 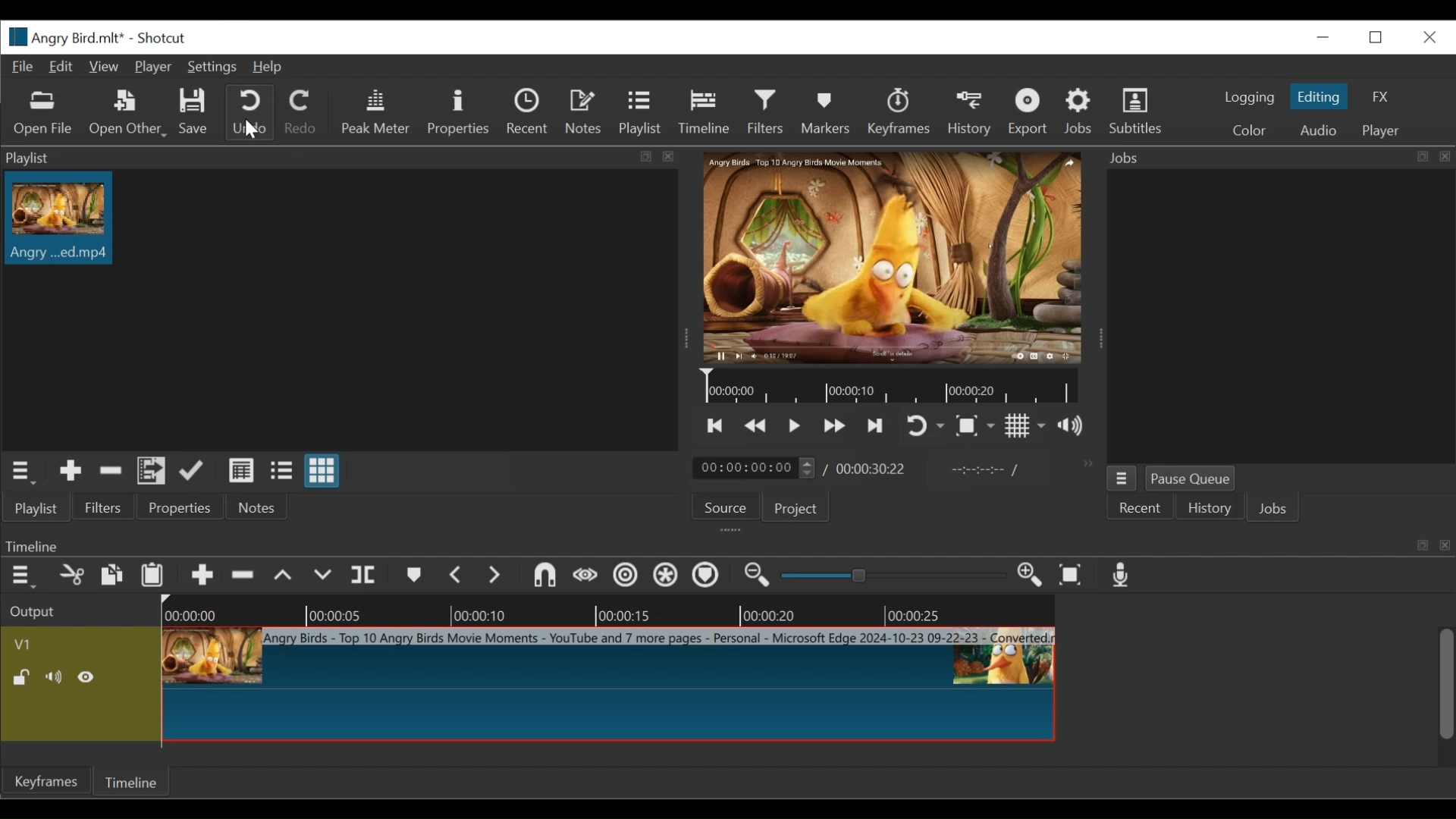 I want to click on Total duration, so click(x=872, y=469).